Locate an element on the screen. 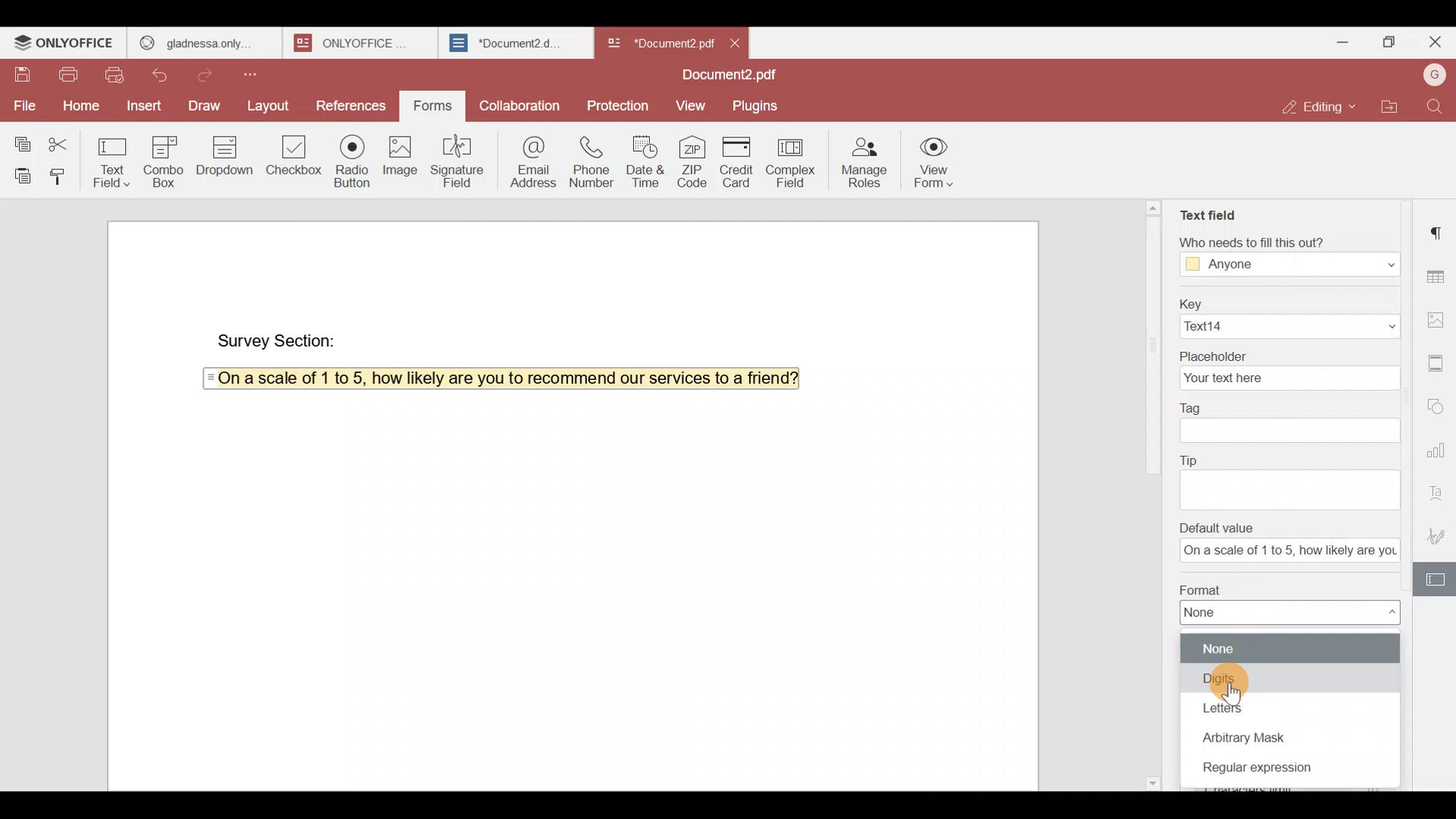  Digits is located at coordinates (1257, 679).